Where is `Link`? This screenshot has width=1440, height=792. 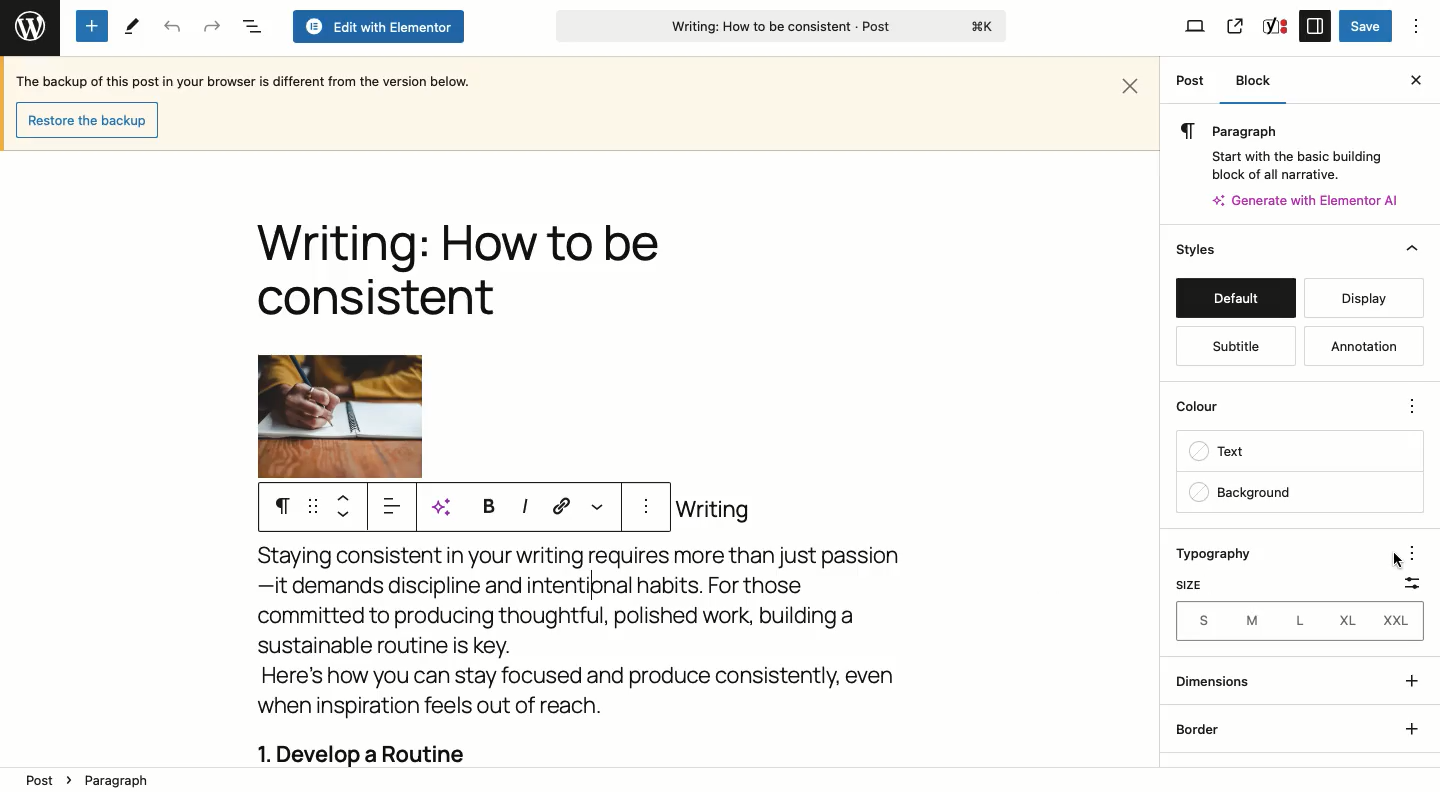
Link is located at coordinates (562, 505).